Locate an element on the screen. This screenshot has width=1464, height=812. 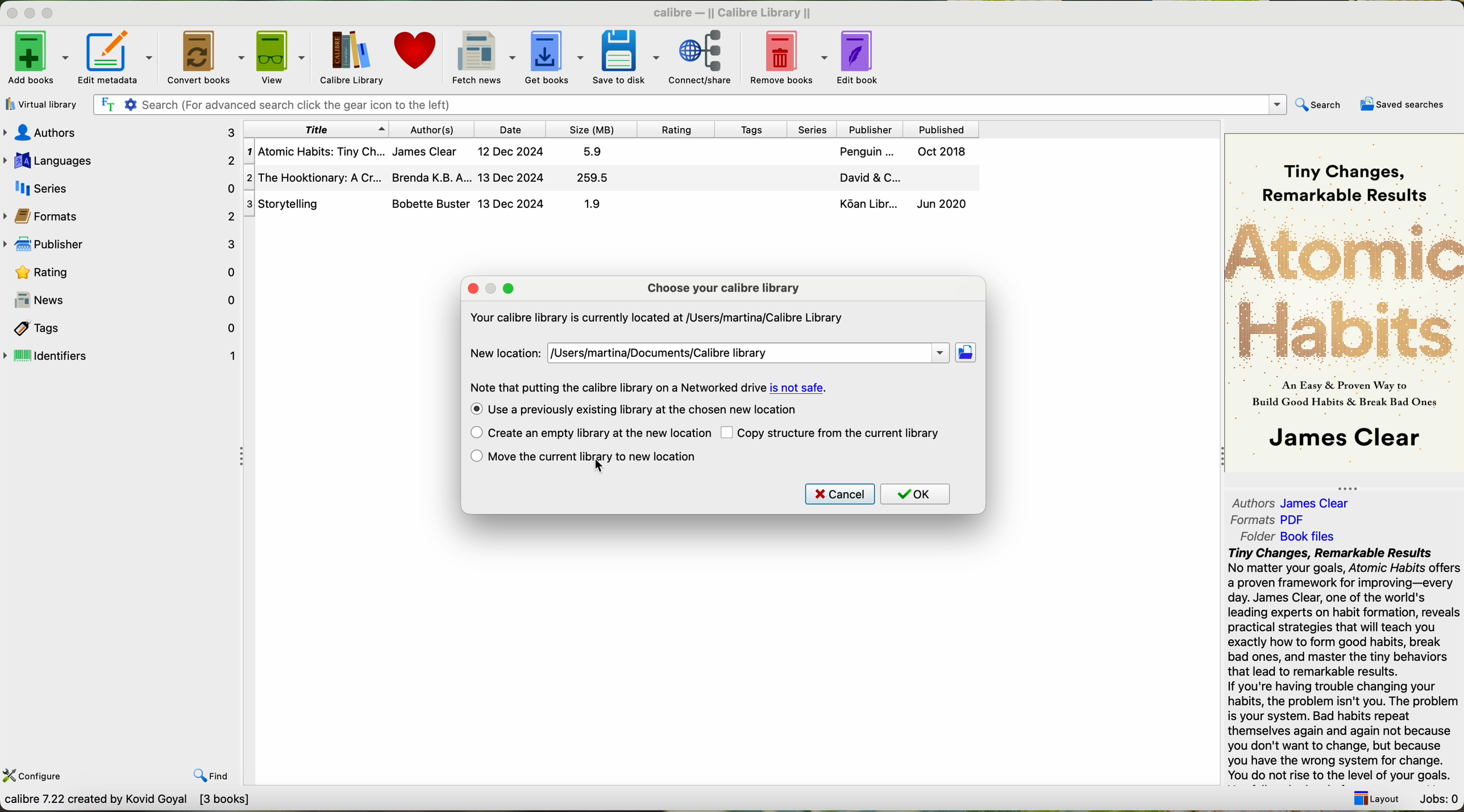
edit metadata is located at coordinates (116, 56).